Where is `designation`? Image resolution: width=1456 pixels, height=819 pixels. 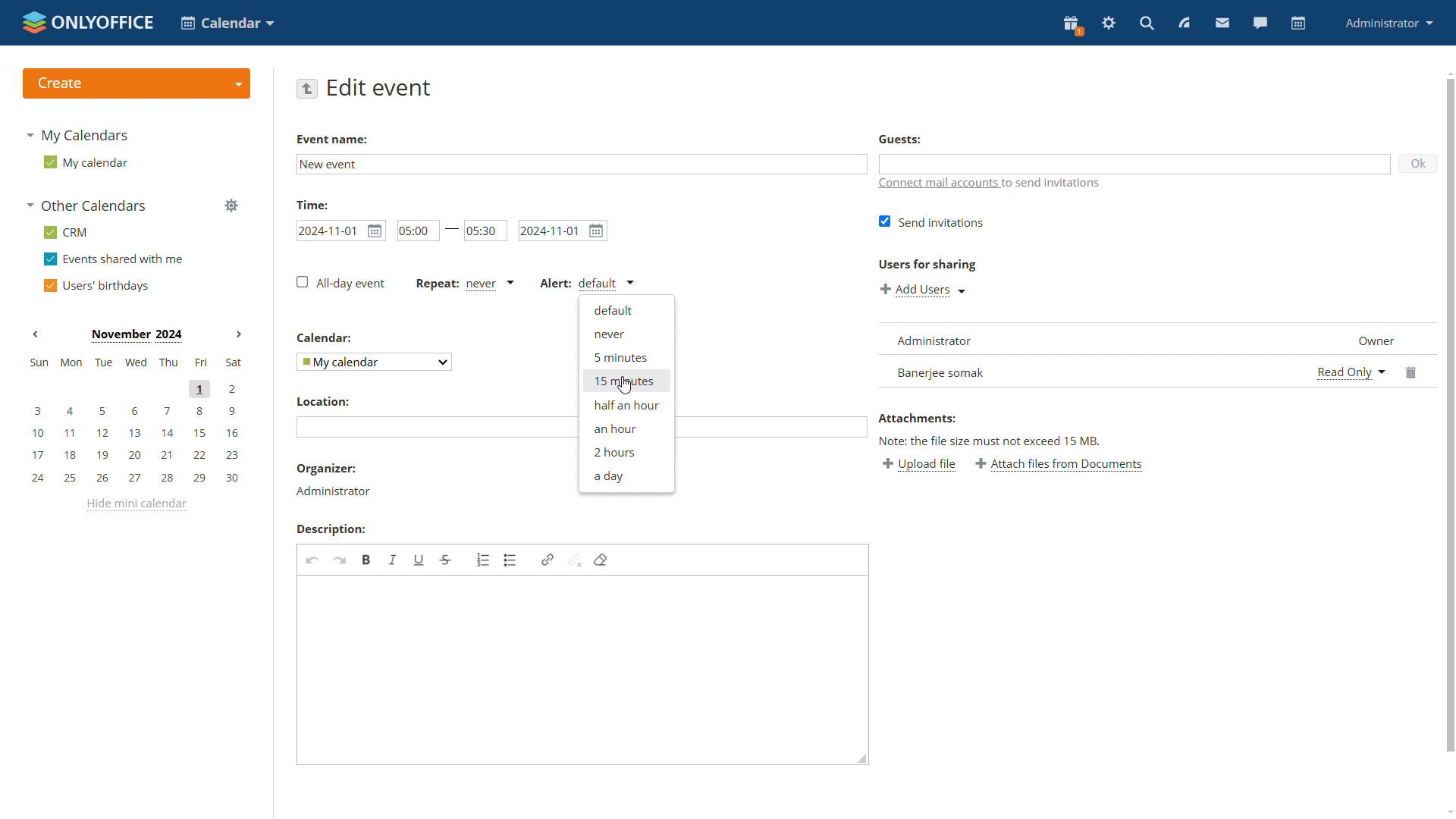 designation is located at coordinates (1369, 337).